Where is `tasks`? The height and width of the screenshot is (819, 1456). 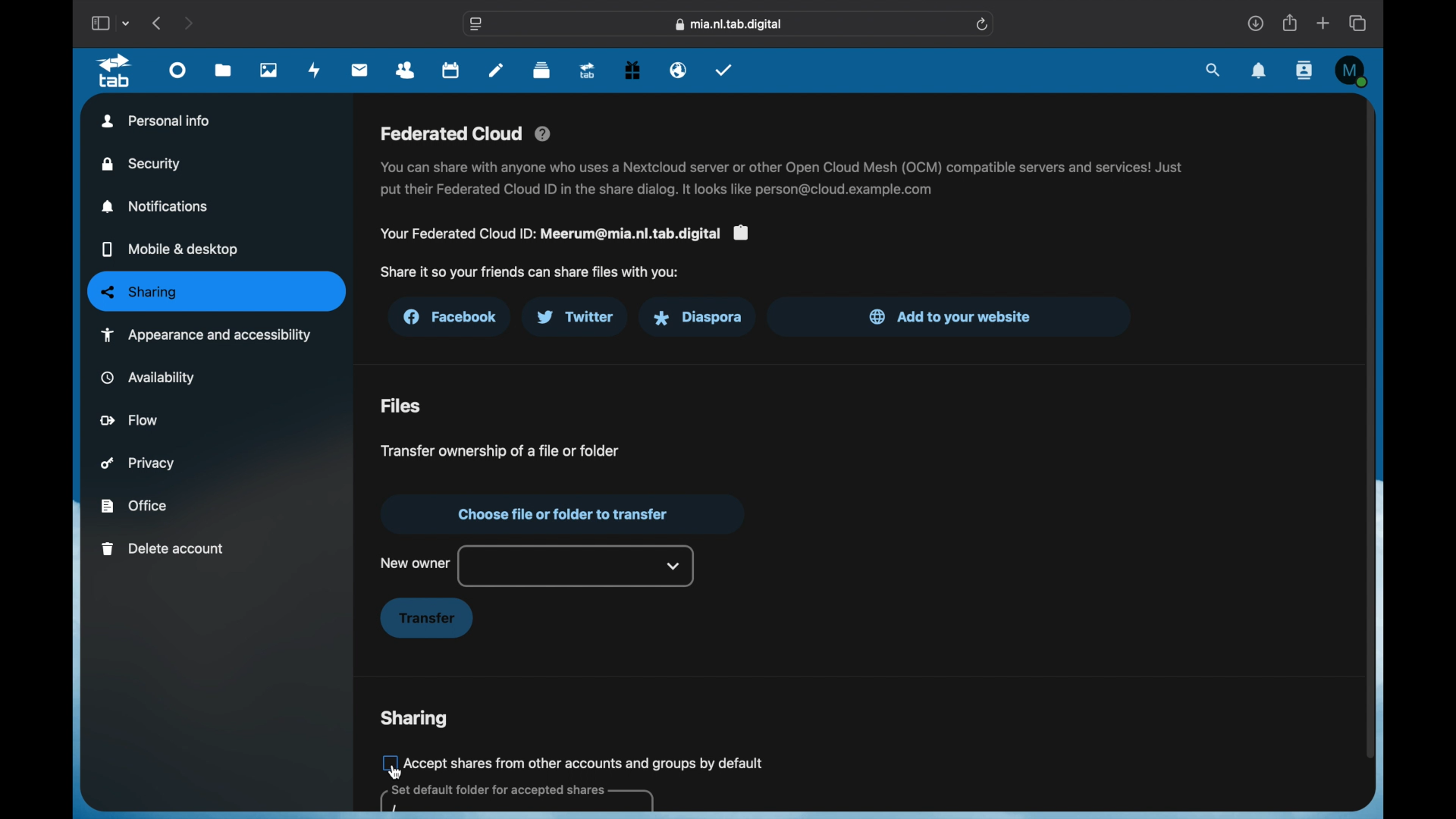
tasks is located at coordinates (724, 69).